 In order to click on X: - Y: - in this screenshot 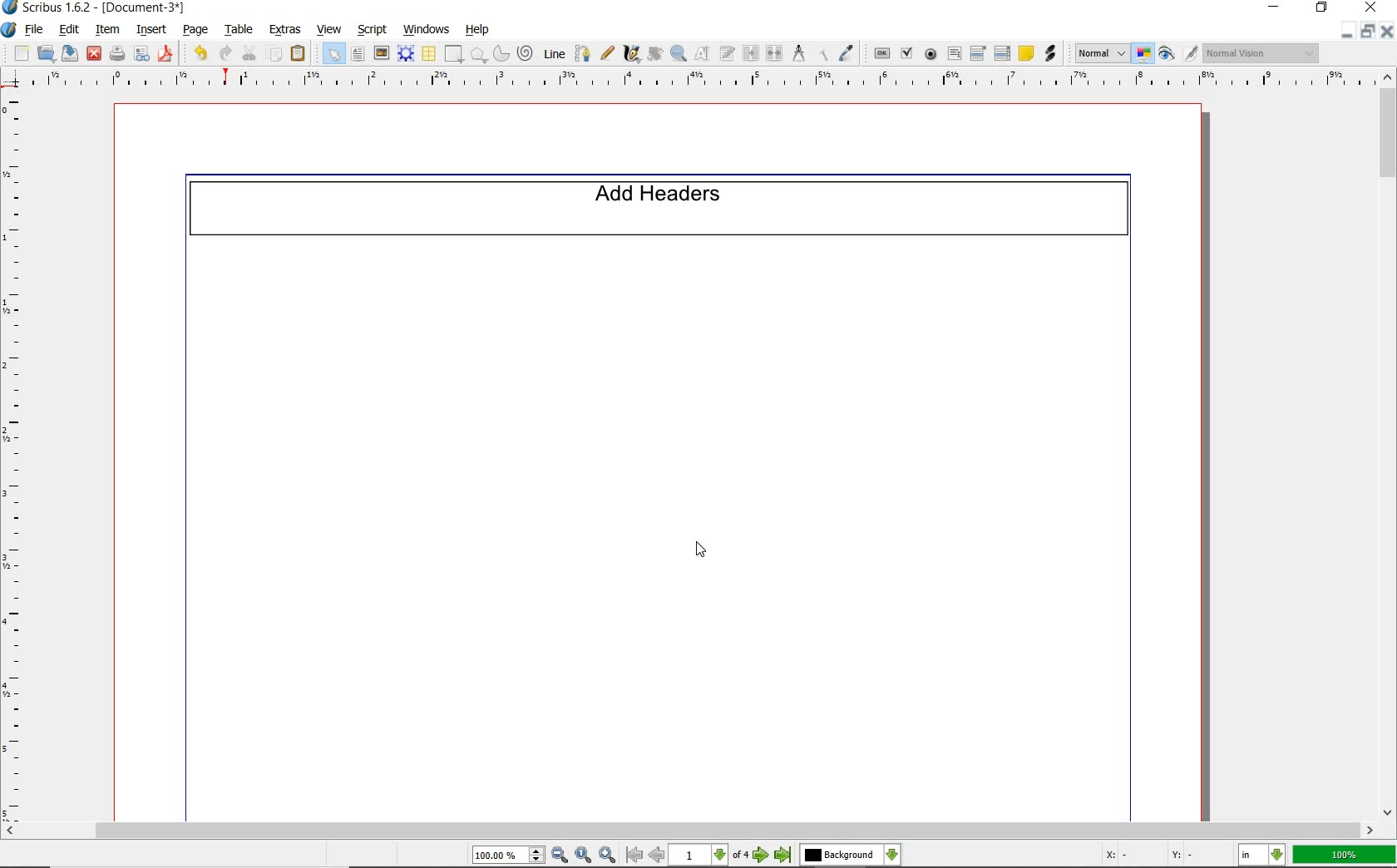, I will do `click(1148, 856)`.